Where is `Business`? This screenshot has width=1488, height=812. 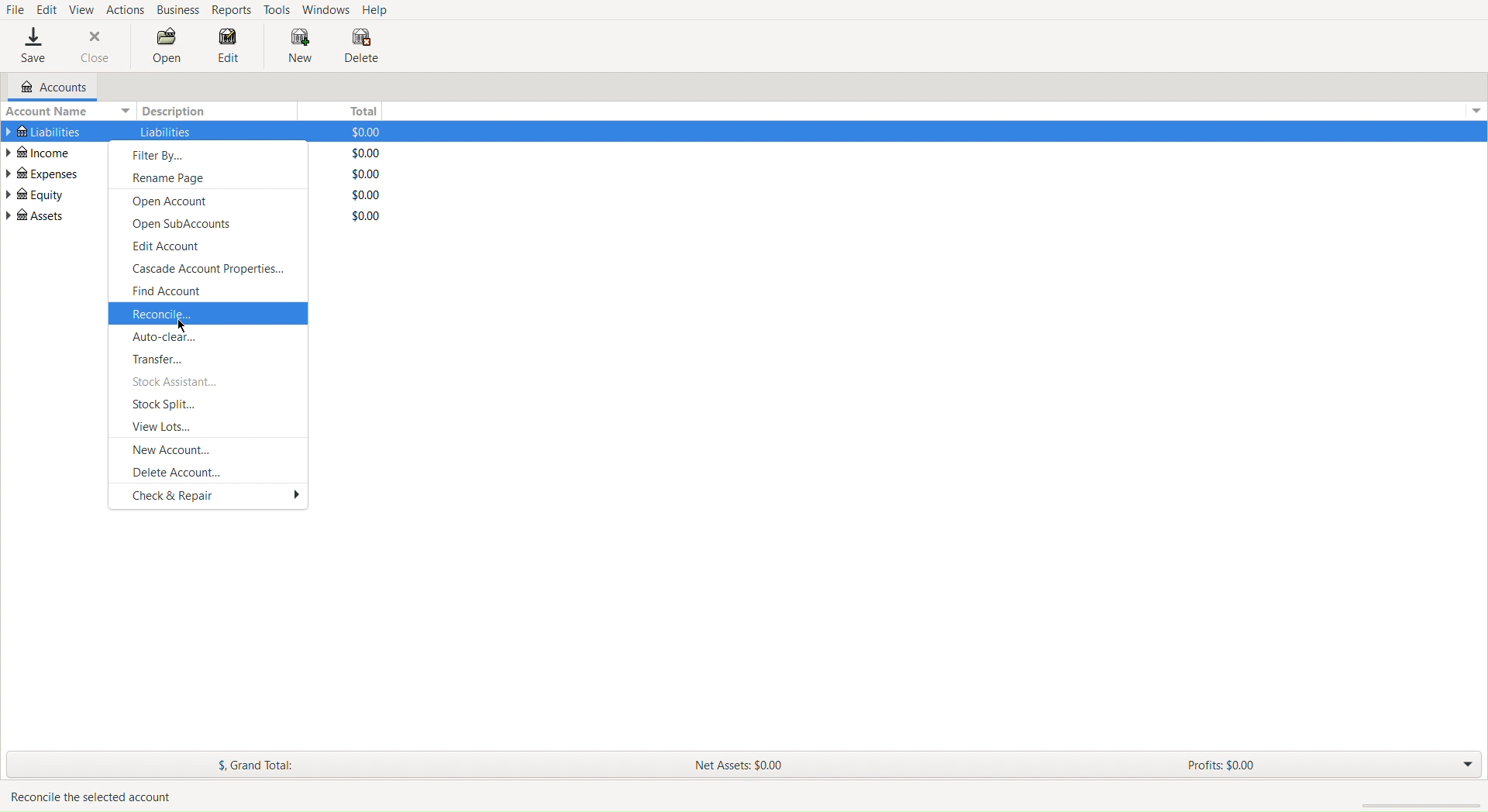
Business is located at coordinates (178, 11).